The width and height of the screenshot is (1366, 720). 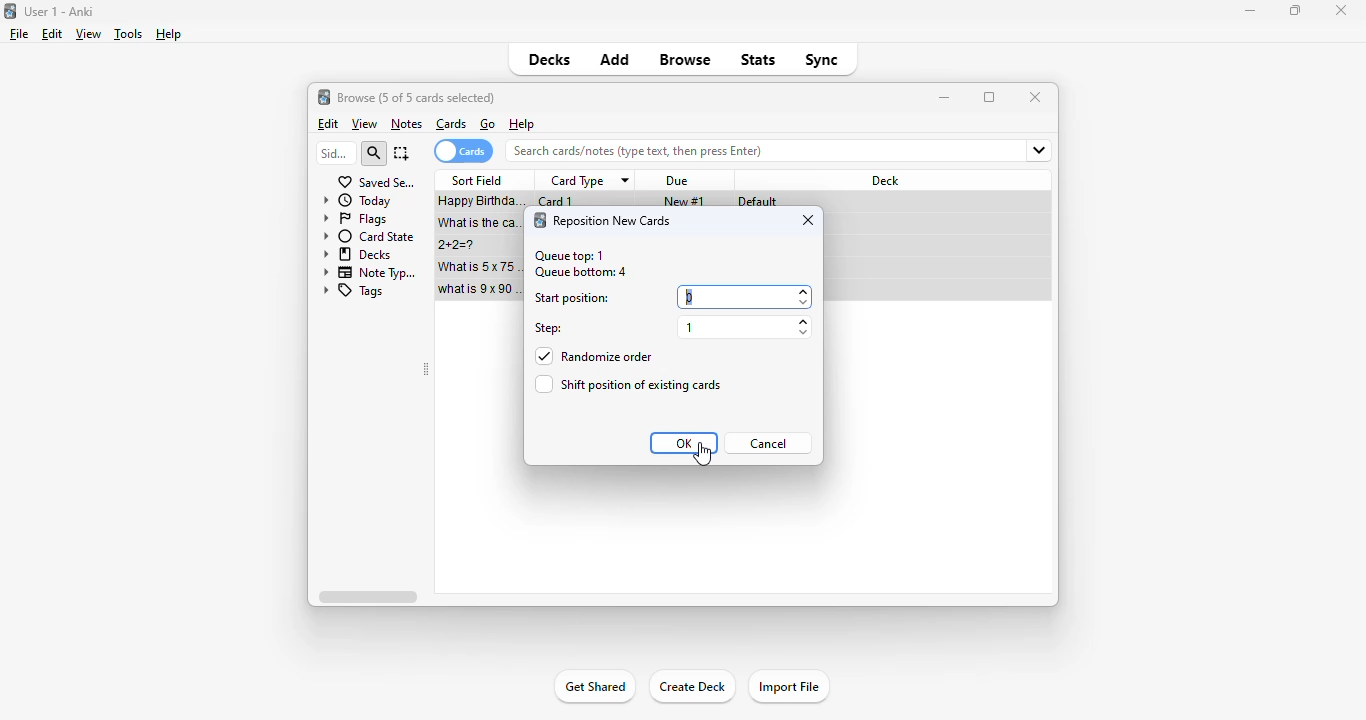 What do you see at coordinates (946, 97) in the screenshot?
I see `minimize` at bounding box center [946, 97].